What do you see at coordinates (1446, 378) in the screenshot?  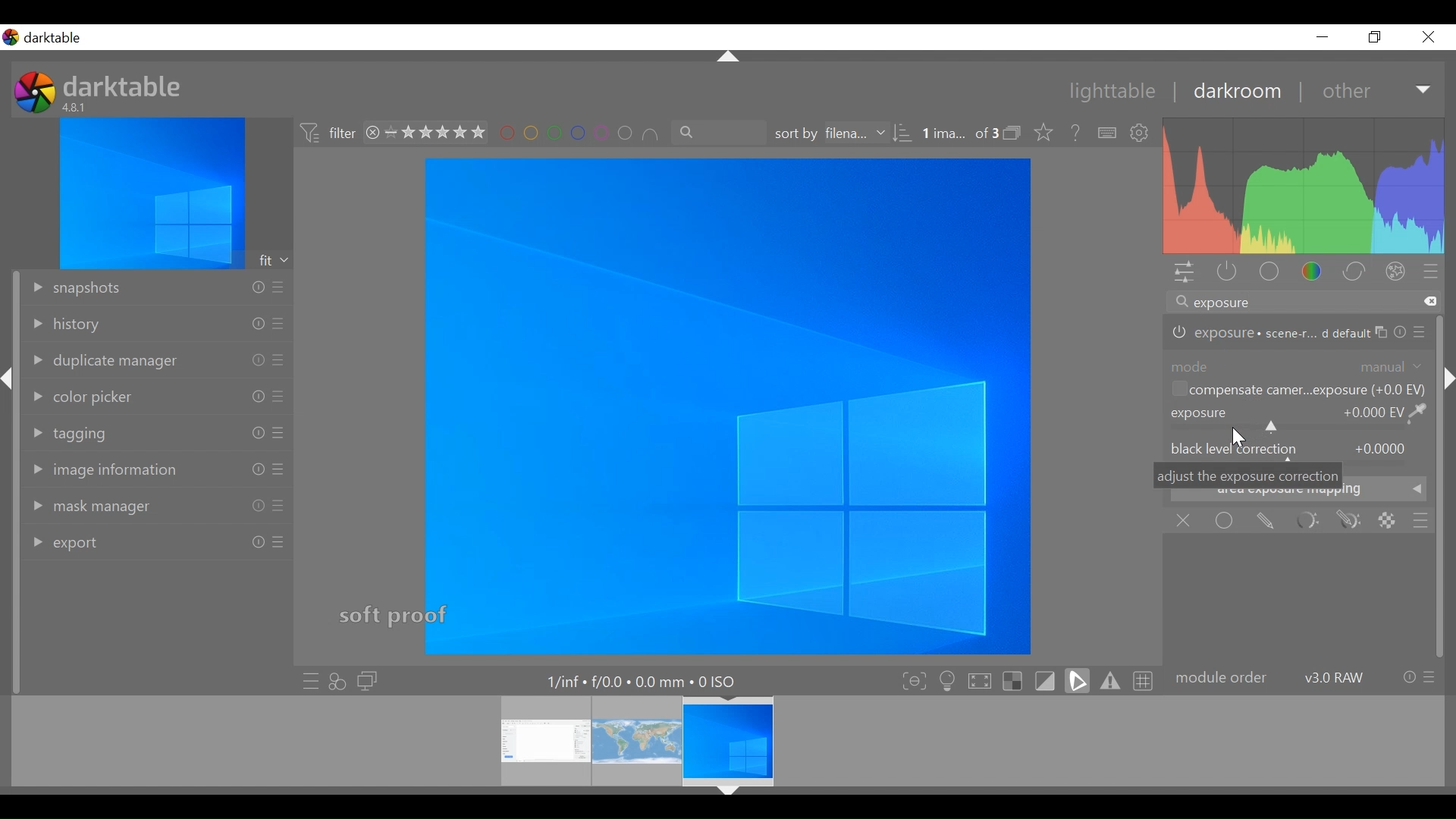 I see `Collapse ` at bounding box center [1446, 378].